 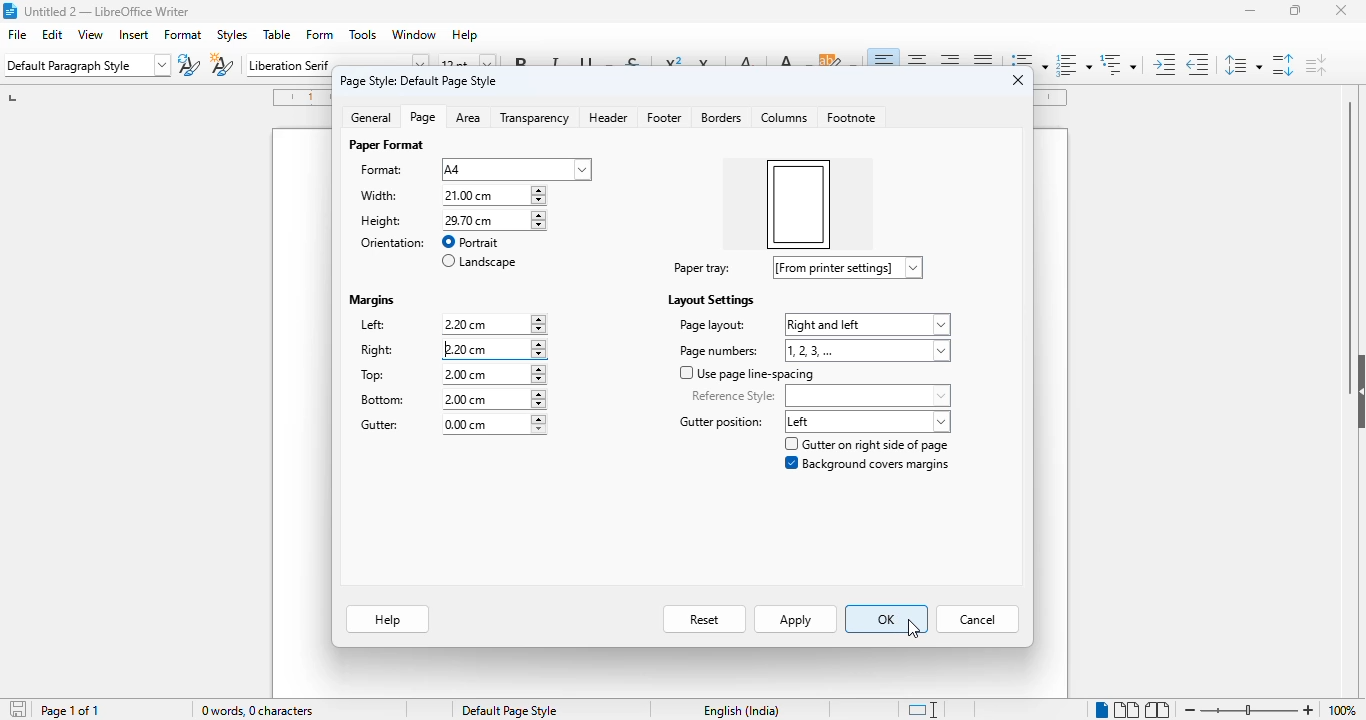 What do you see at coordinates (884, 59) in the screenshot?
I see `align left` at bounding box center [884, 59].